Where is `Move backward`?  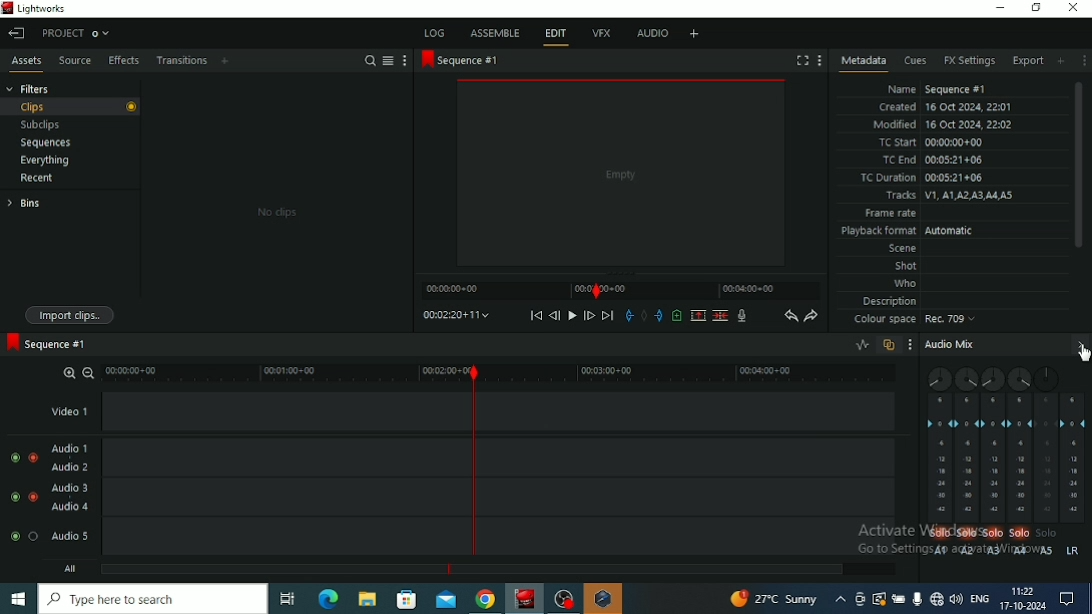 Move backward is located at coordinates (536, 315).